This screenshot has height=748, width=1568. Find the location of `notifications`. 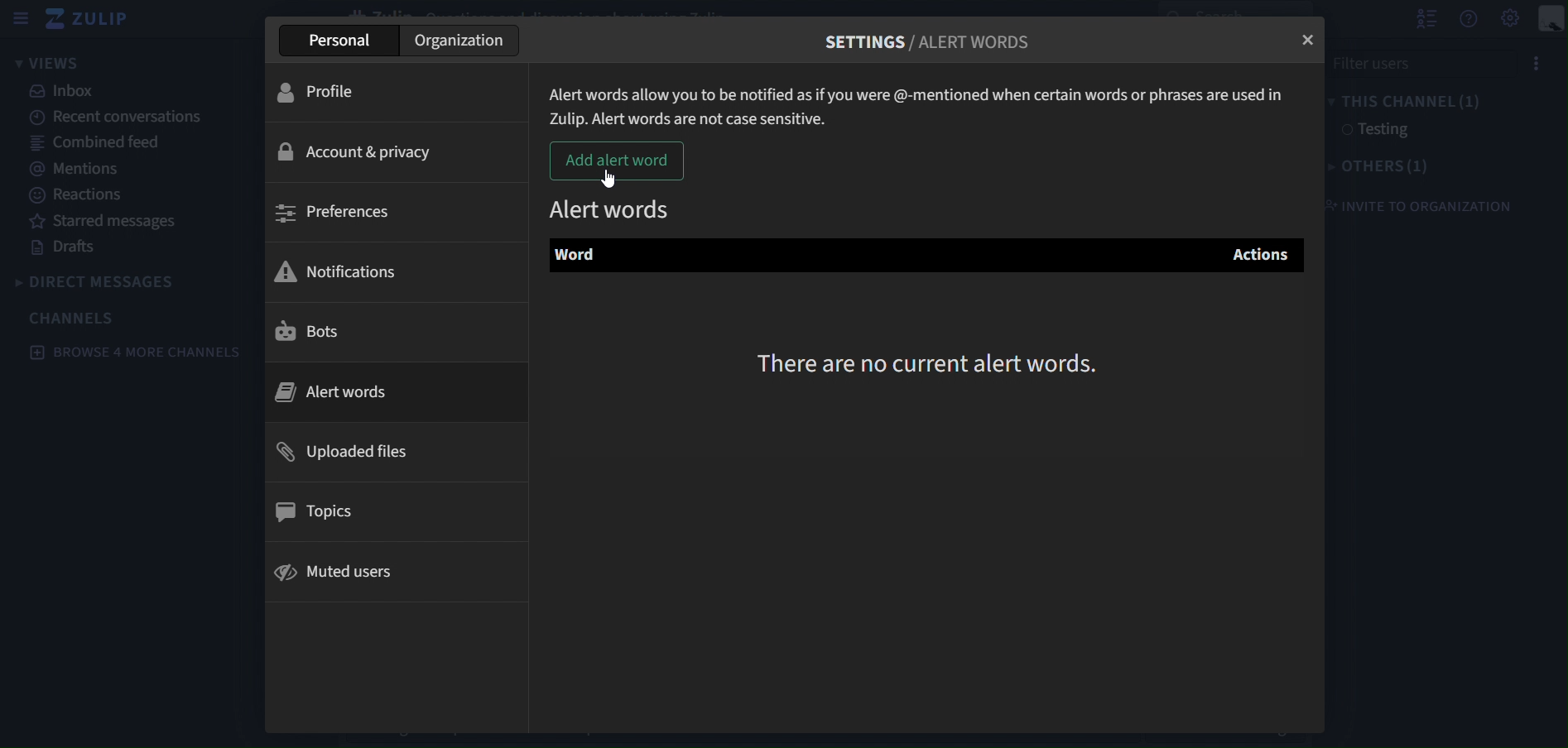

notifications is located at coordinates (348, 269).